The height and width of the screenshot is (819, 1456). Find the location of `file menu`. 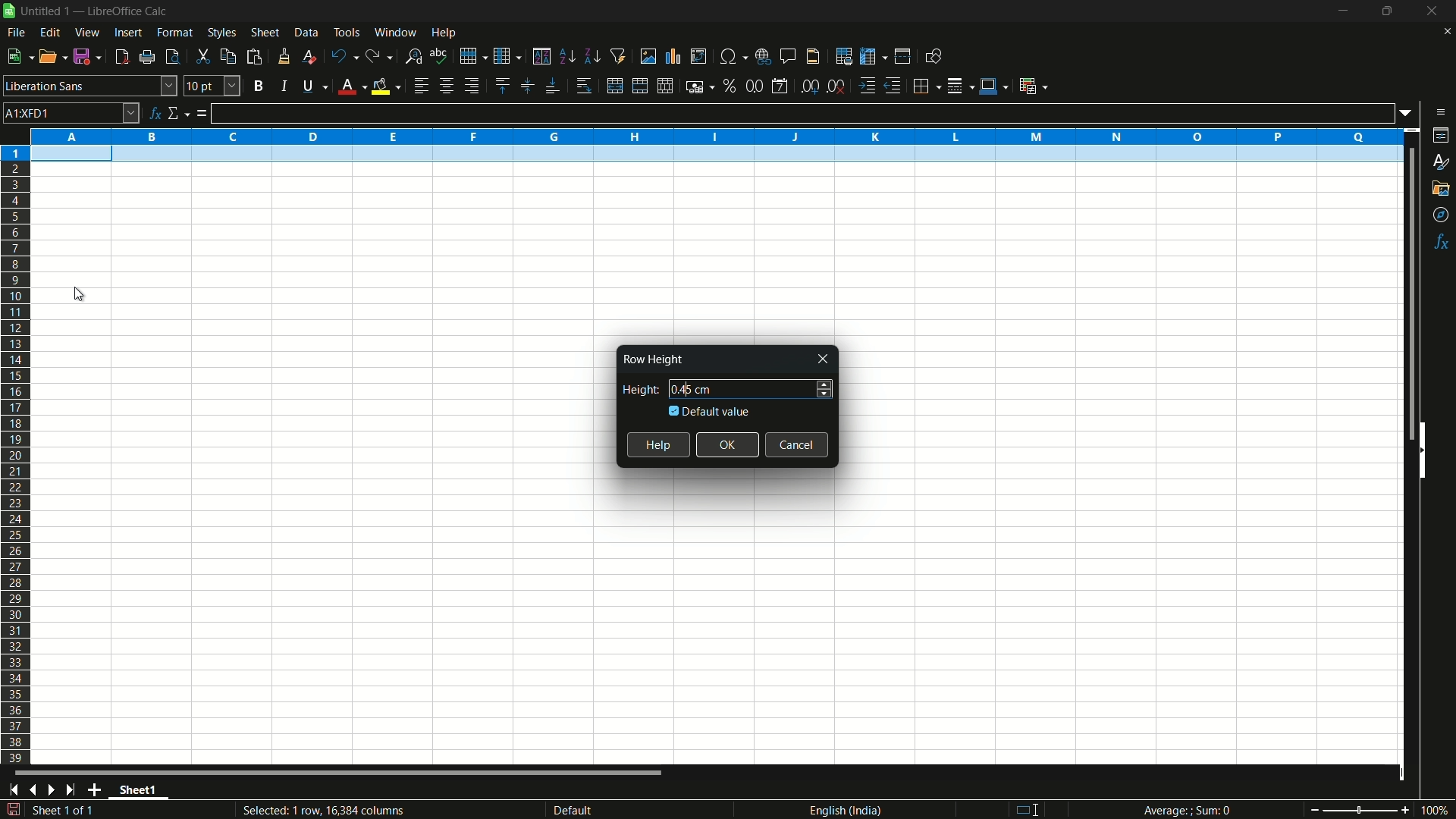

file menu is located at coordinates (16, 33).